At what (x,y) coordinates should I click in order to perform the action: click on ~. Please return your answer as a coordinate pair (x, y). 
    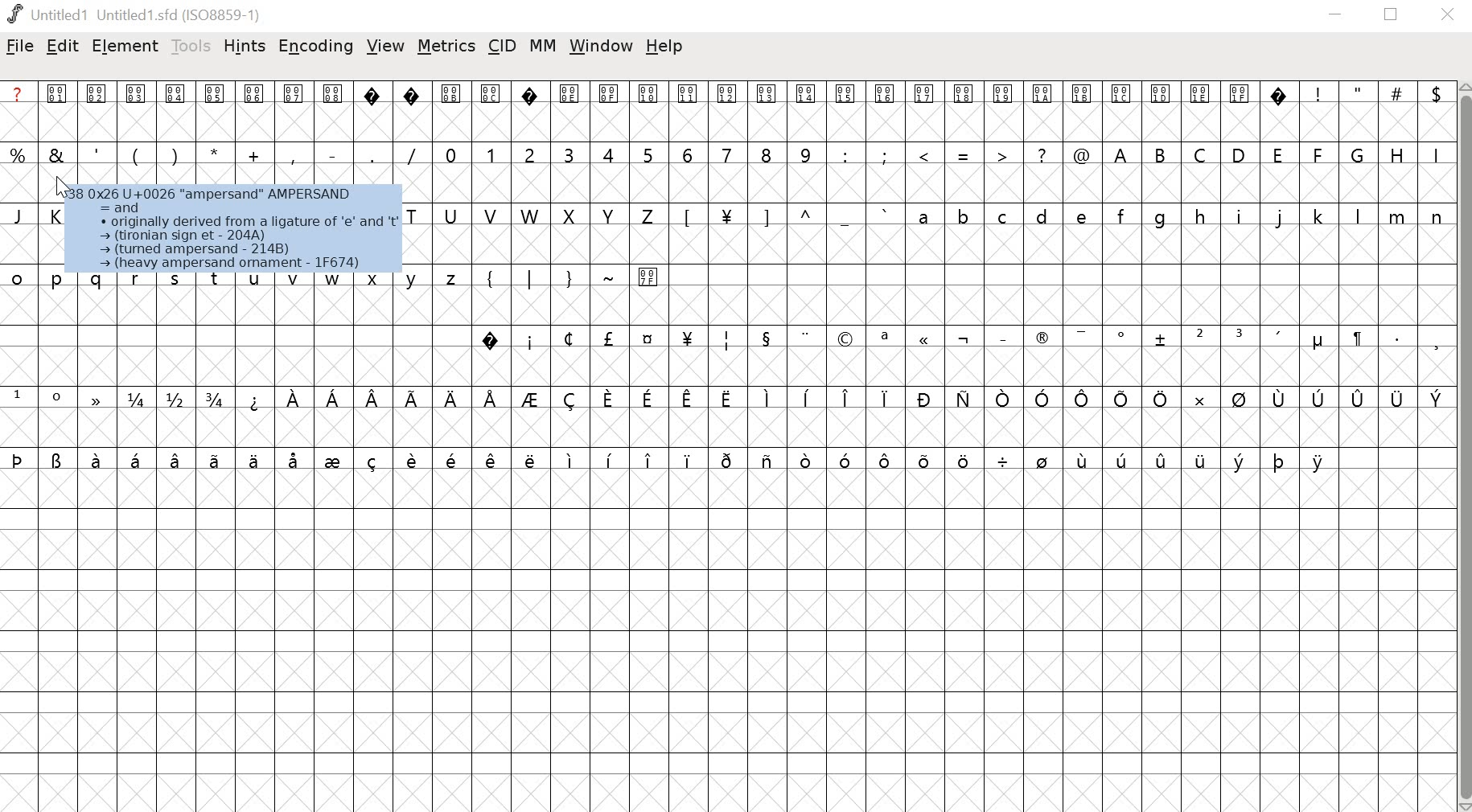
    Looking at the image, I should click on (611, 275).